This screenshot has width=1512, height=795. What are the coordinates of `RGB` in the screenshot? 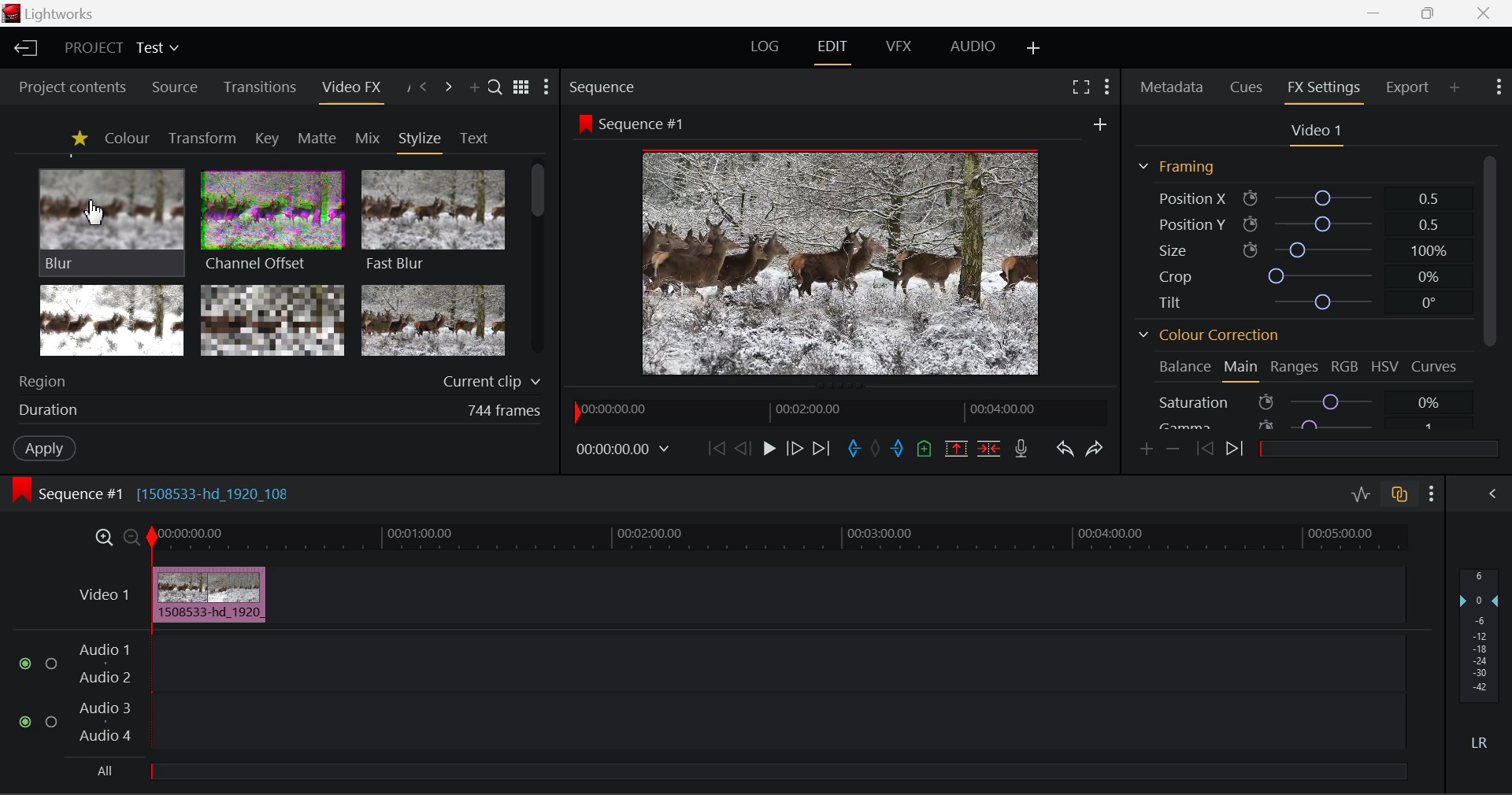 It's located at (1345, 367).